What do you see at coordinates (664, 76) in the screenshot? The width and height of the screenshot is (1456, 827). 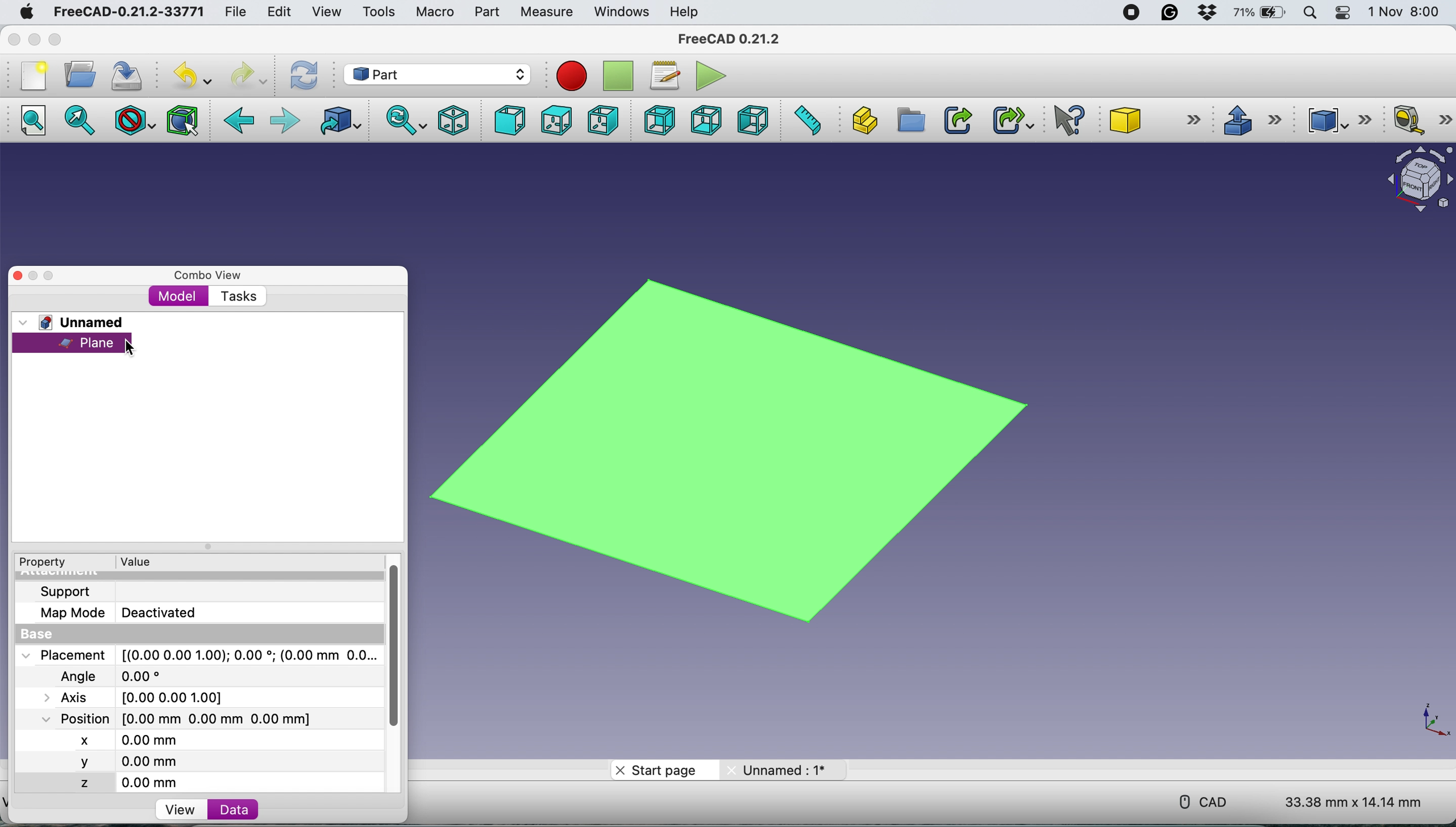 I see `macros` at bounding box center [664, 76].